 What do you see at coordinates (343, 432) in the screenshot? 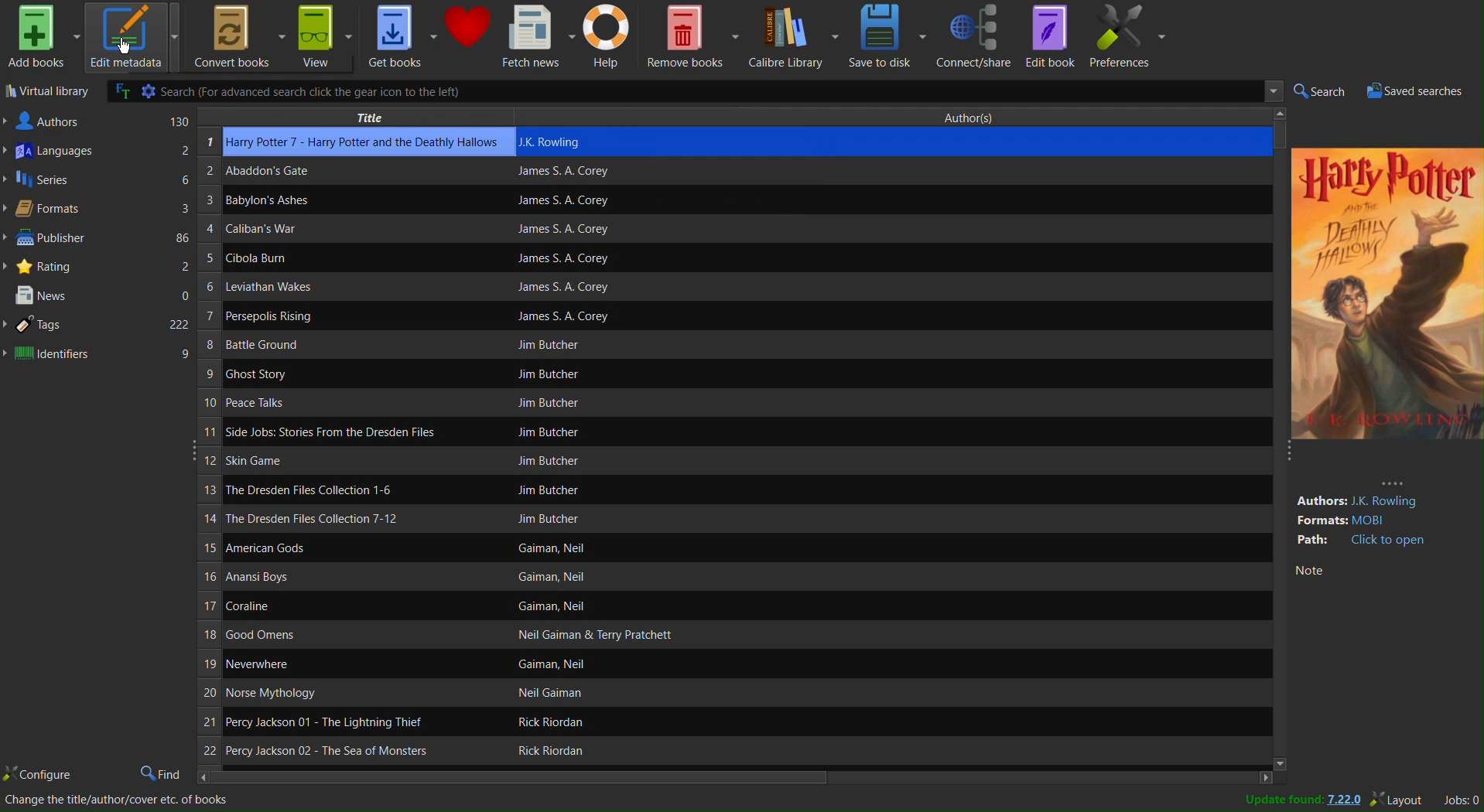
I see `Book name` at bounding box center [343, 432].